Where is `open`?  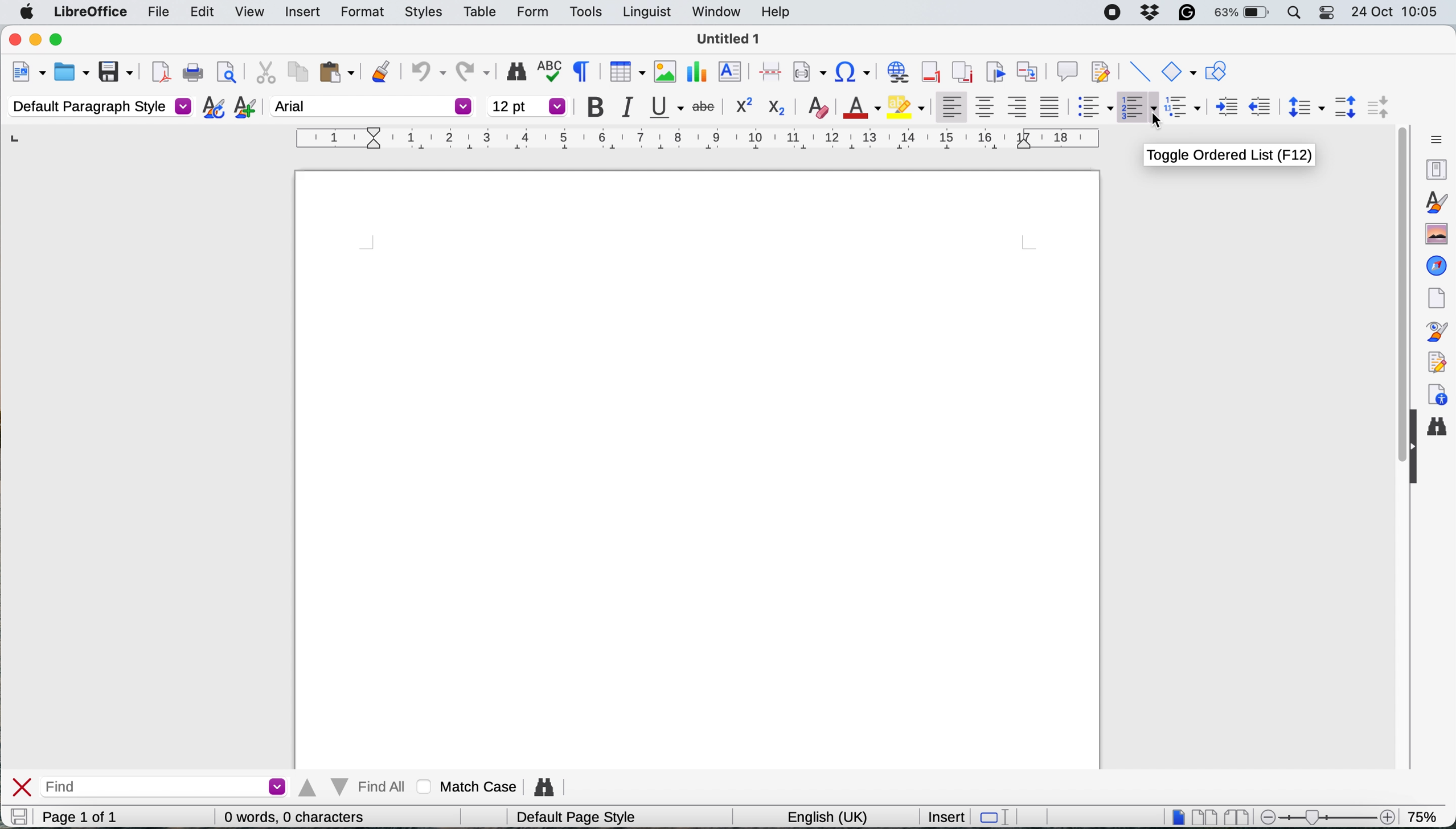 open is located at coordinates (72, 73).